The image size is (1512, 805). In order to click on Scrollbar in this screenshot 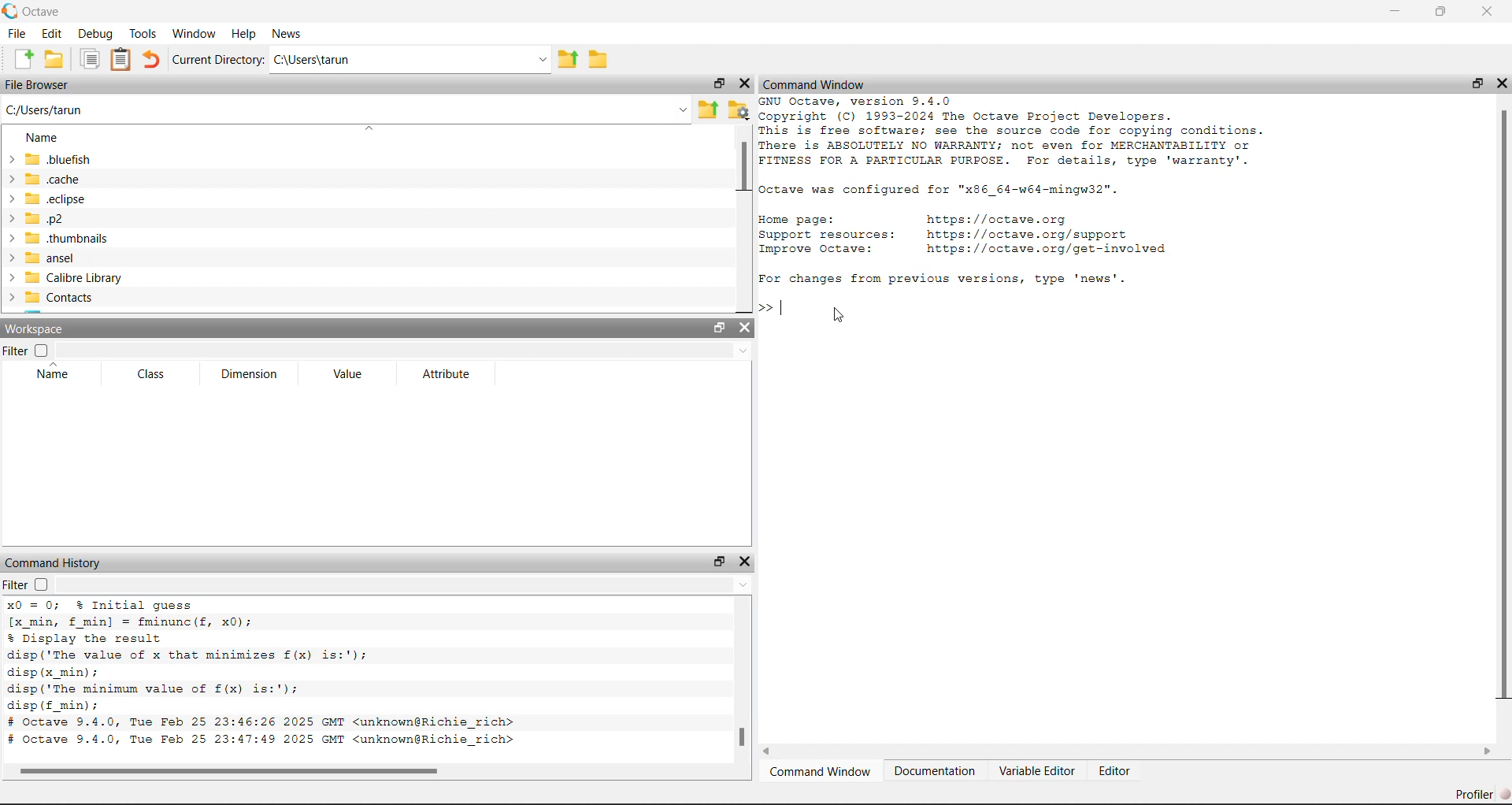, I will do `click(1501, 408)`.